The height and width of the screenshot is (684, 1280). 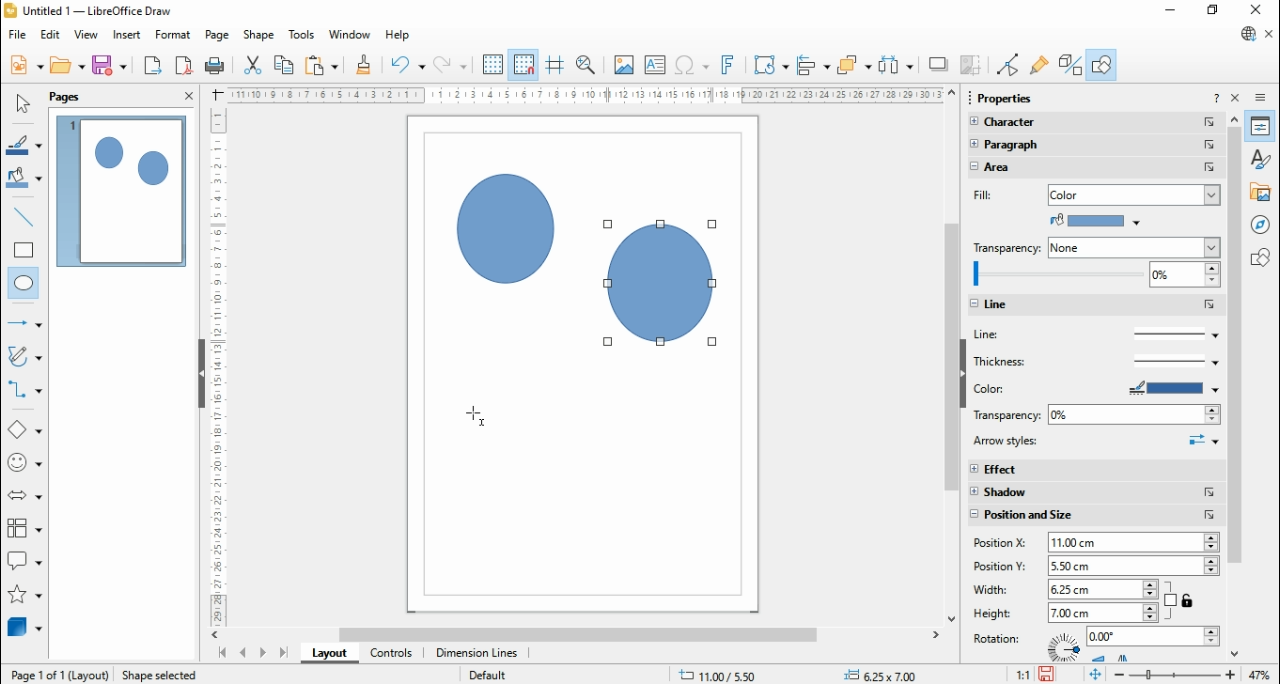 What do you see at coordinates (886, 674) in the screenshot?
I see `+= 0,00x 0.00` at bounding box center [886, 674].